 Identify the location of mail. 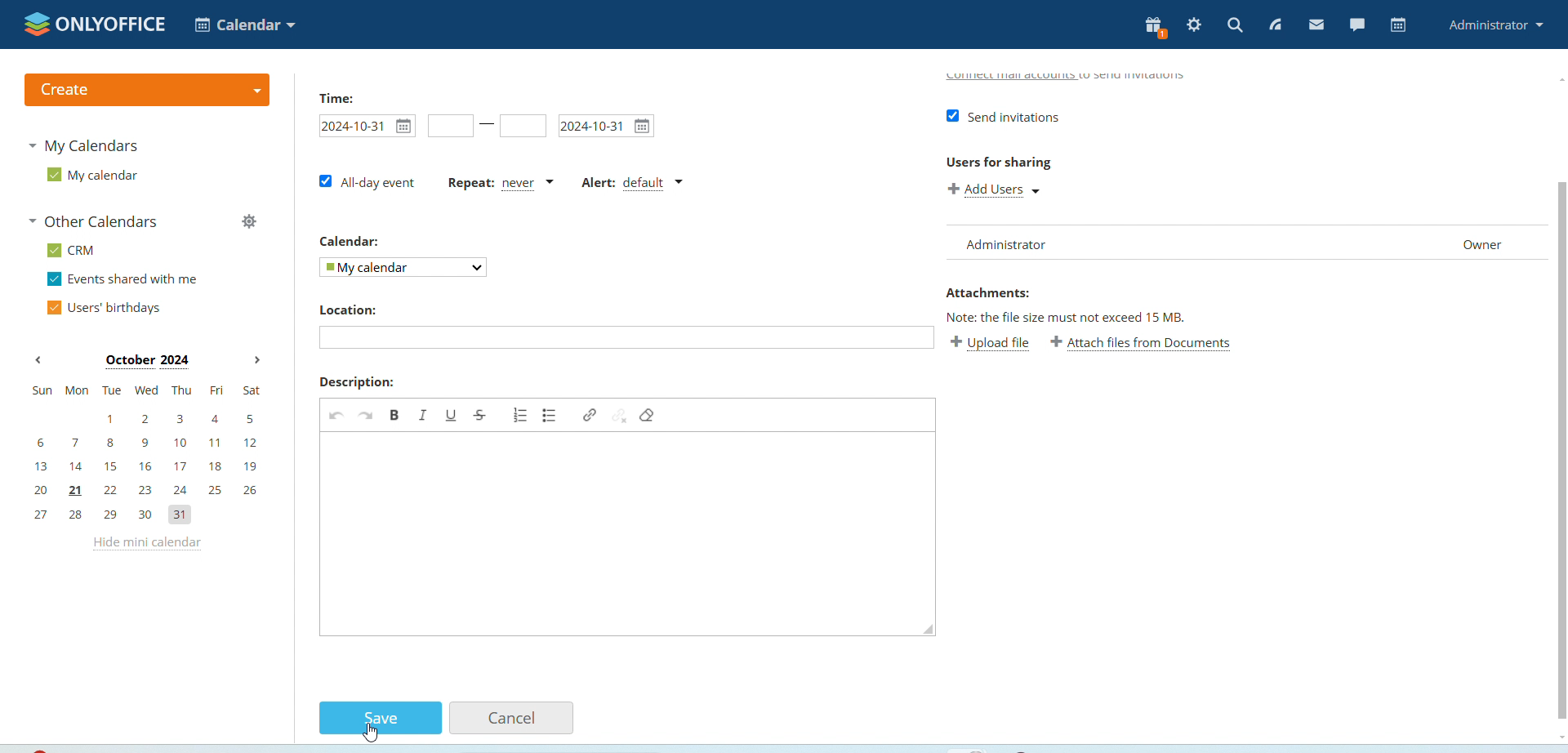
(1317, 25).